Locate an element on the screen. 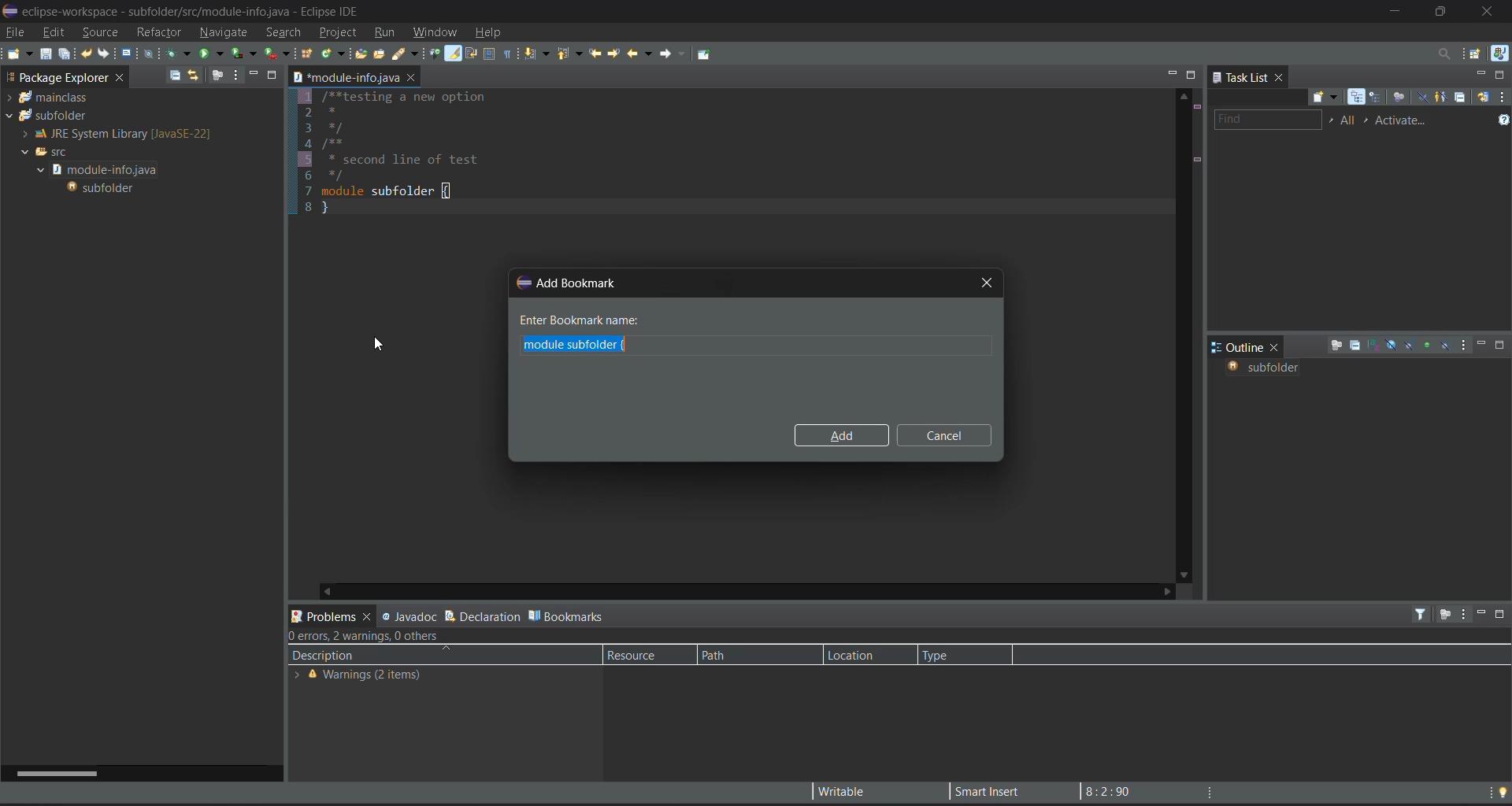 The width and height of the screenshot is (1512, 806). run last tool is located at coordinates (277, 55).